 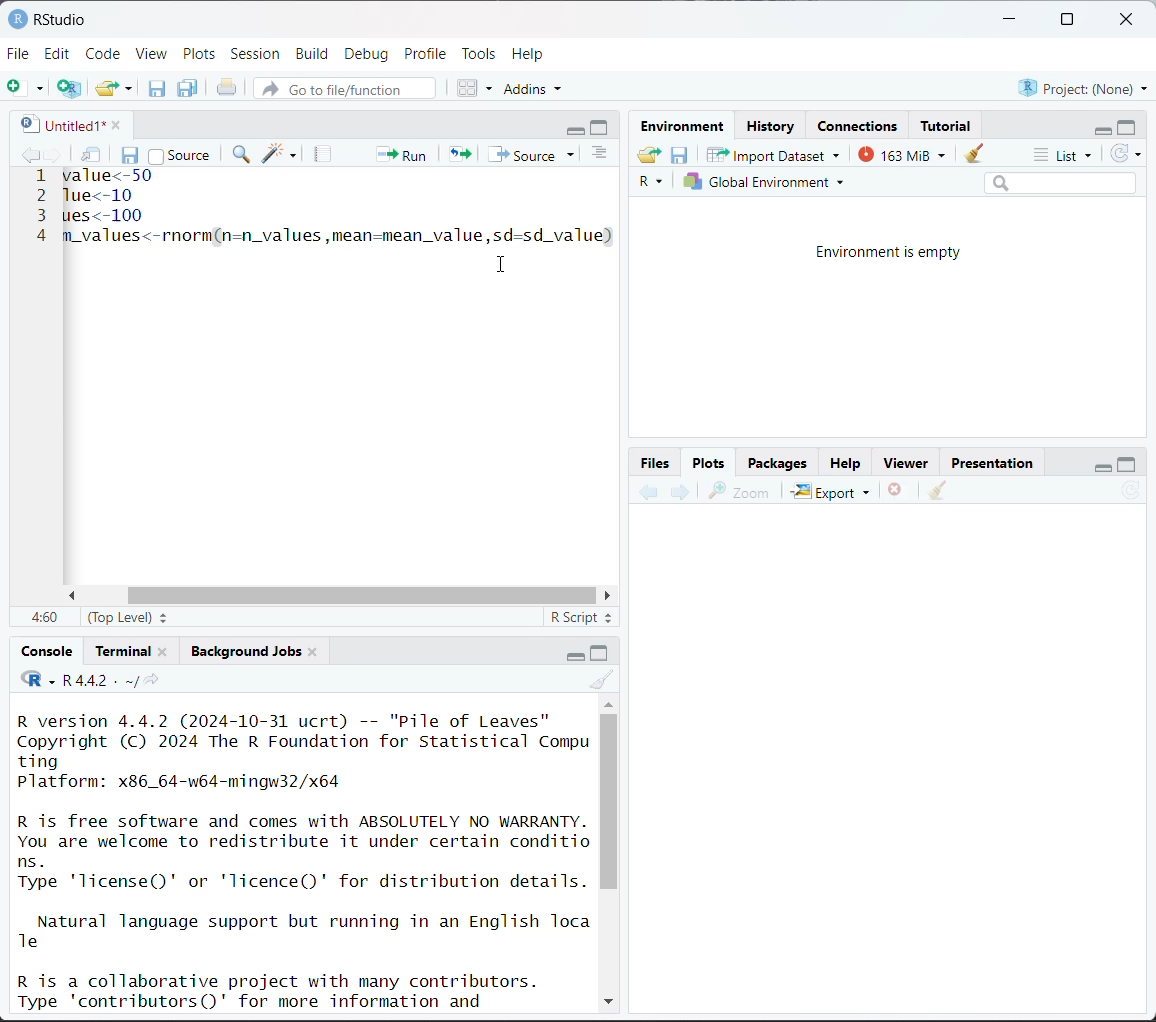 I want to click on Debug, so click(x=366, y=54).